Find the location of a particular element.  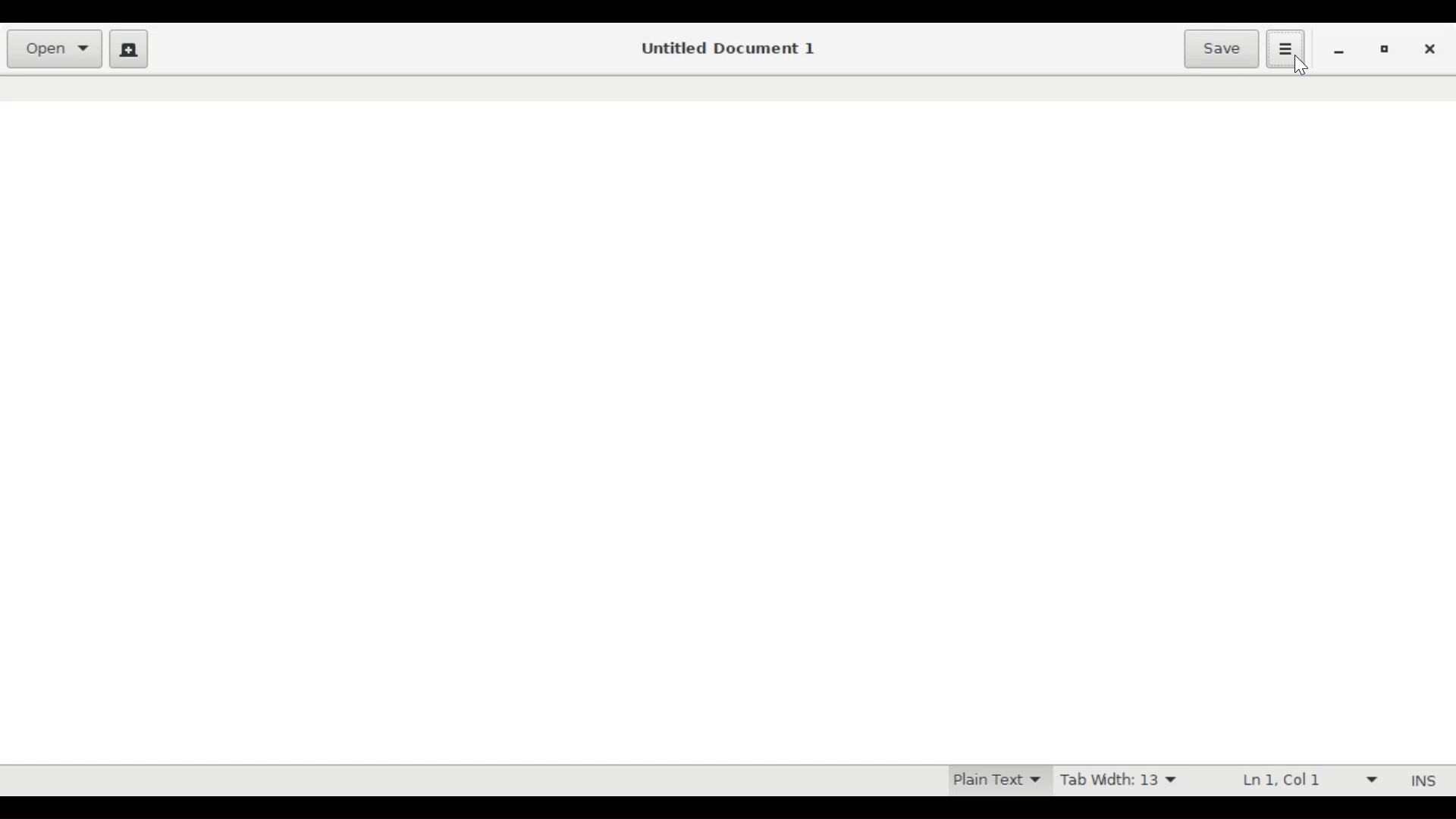

Restore is located at coordinates (1386, 52).